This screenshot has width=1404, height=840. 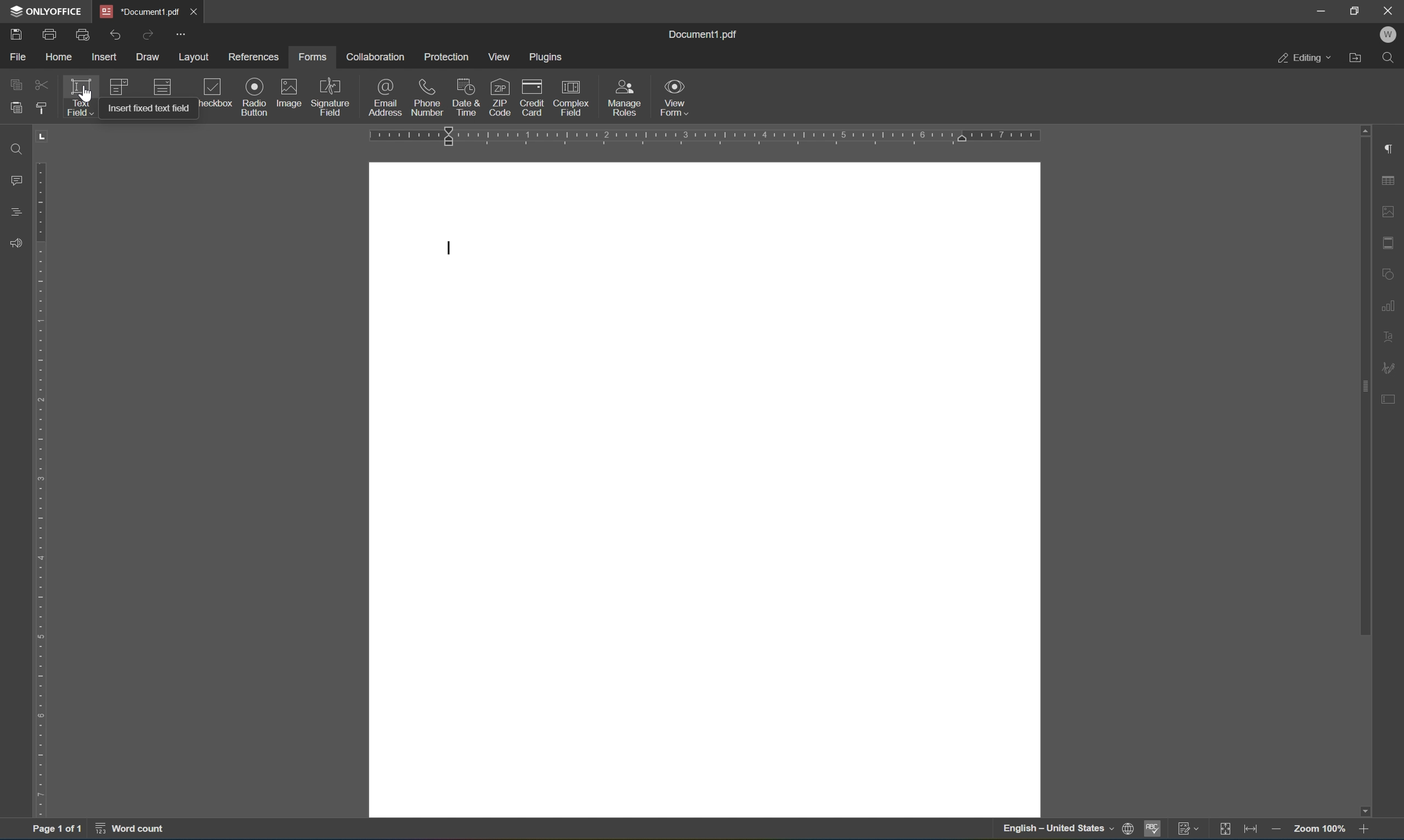 I want to click on date and time, so click(x=466, y=96).